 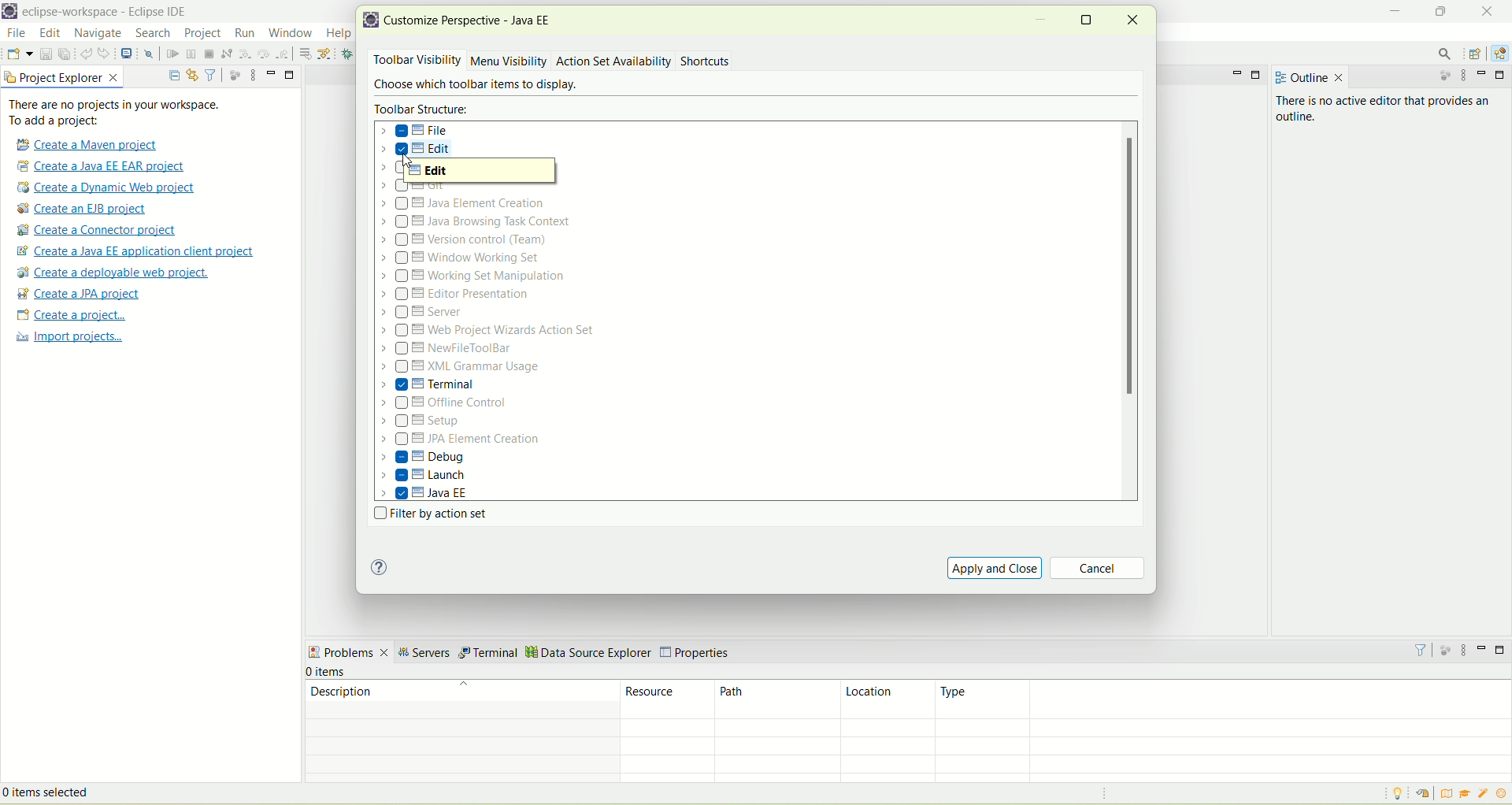 What do you see at coordinates (647, 60) in the screenshot?
I see `availability` at bounding box center [647, 60].